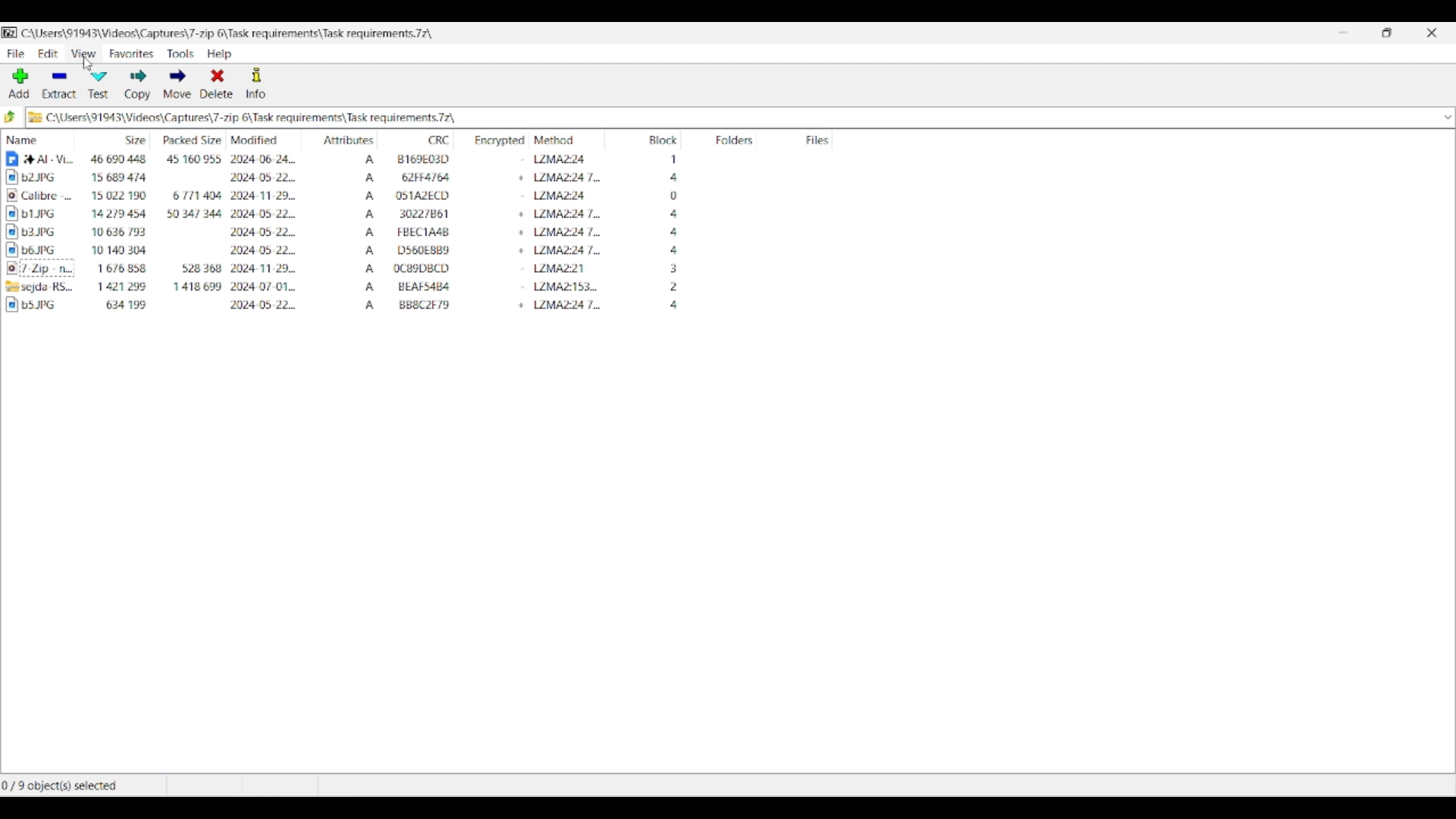 This screenshot has height=819, width=1456. I want to click on Folders column, so click(730, 139).